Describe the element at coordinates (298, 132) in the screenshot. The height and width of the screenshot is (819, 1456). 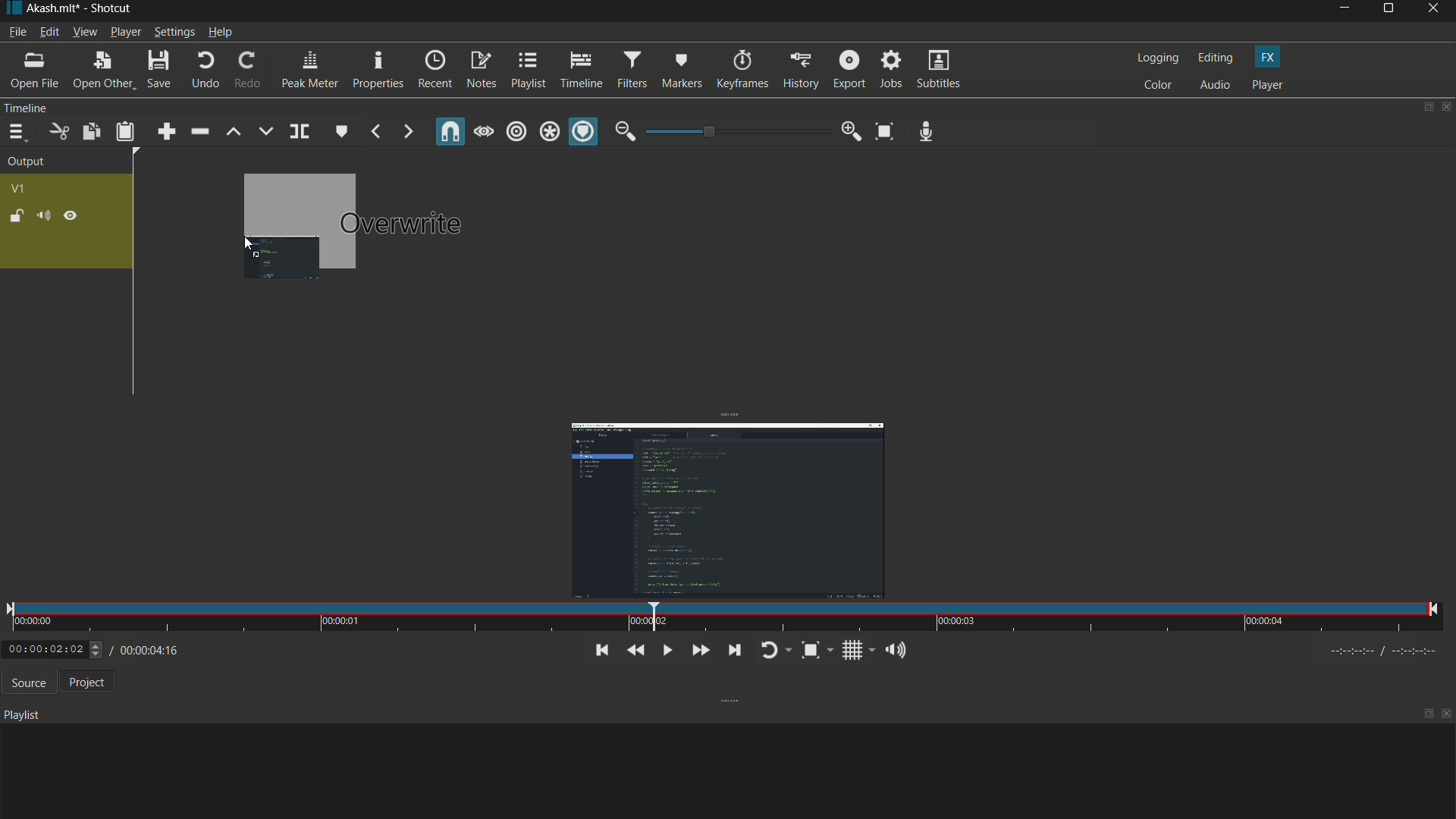
I see `split as playhead` at that location.